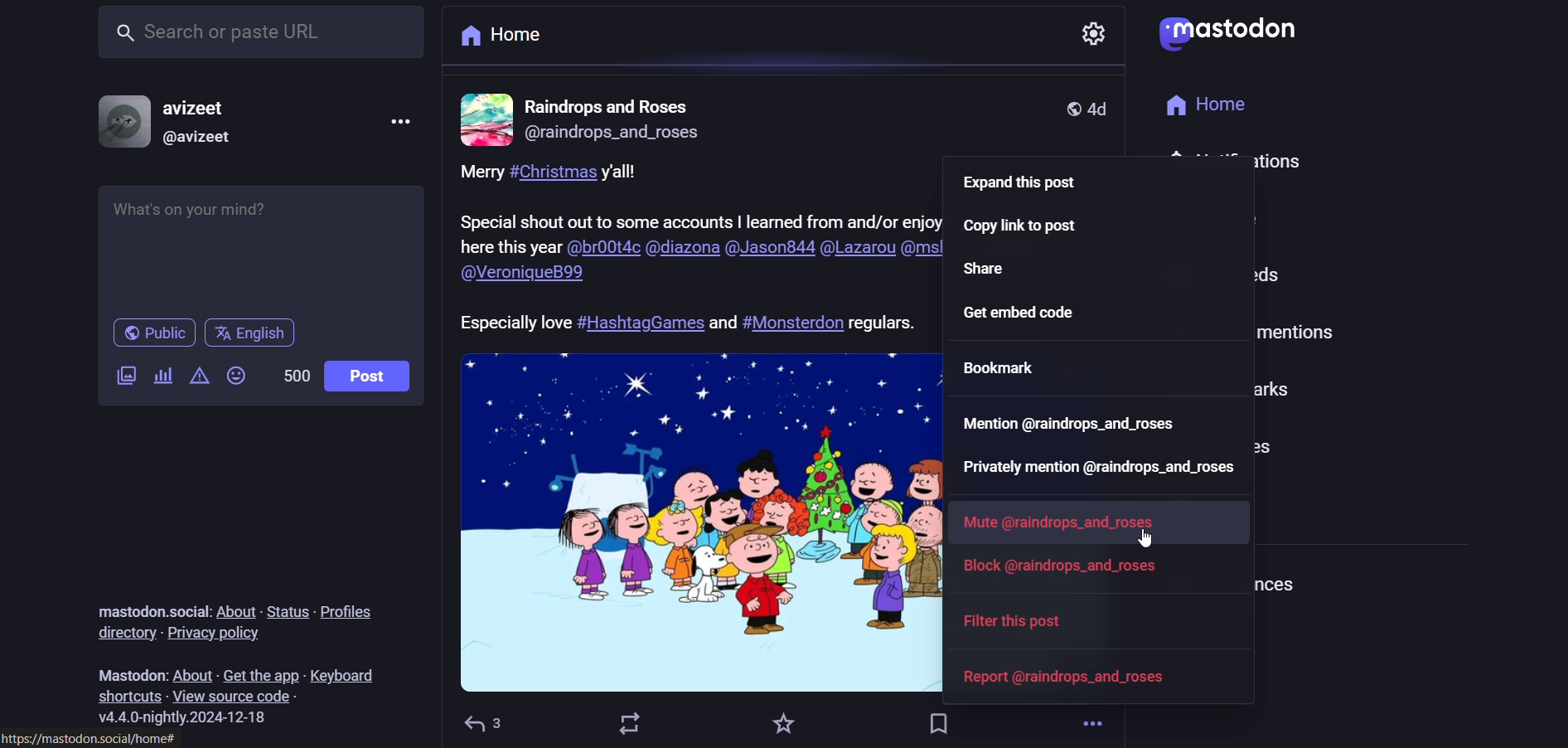 This screenshot has height=748, width=1568. What do you see at coordinates (262, 36) in the screenshot?
I see `search` at bounding box center [262, 36].